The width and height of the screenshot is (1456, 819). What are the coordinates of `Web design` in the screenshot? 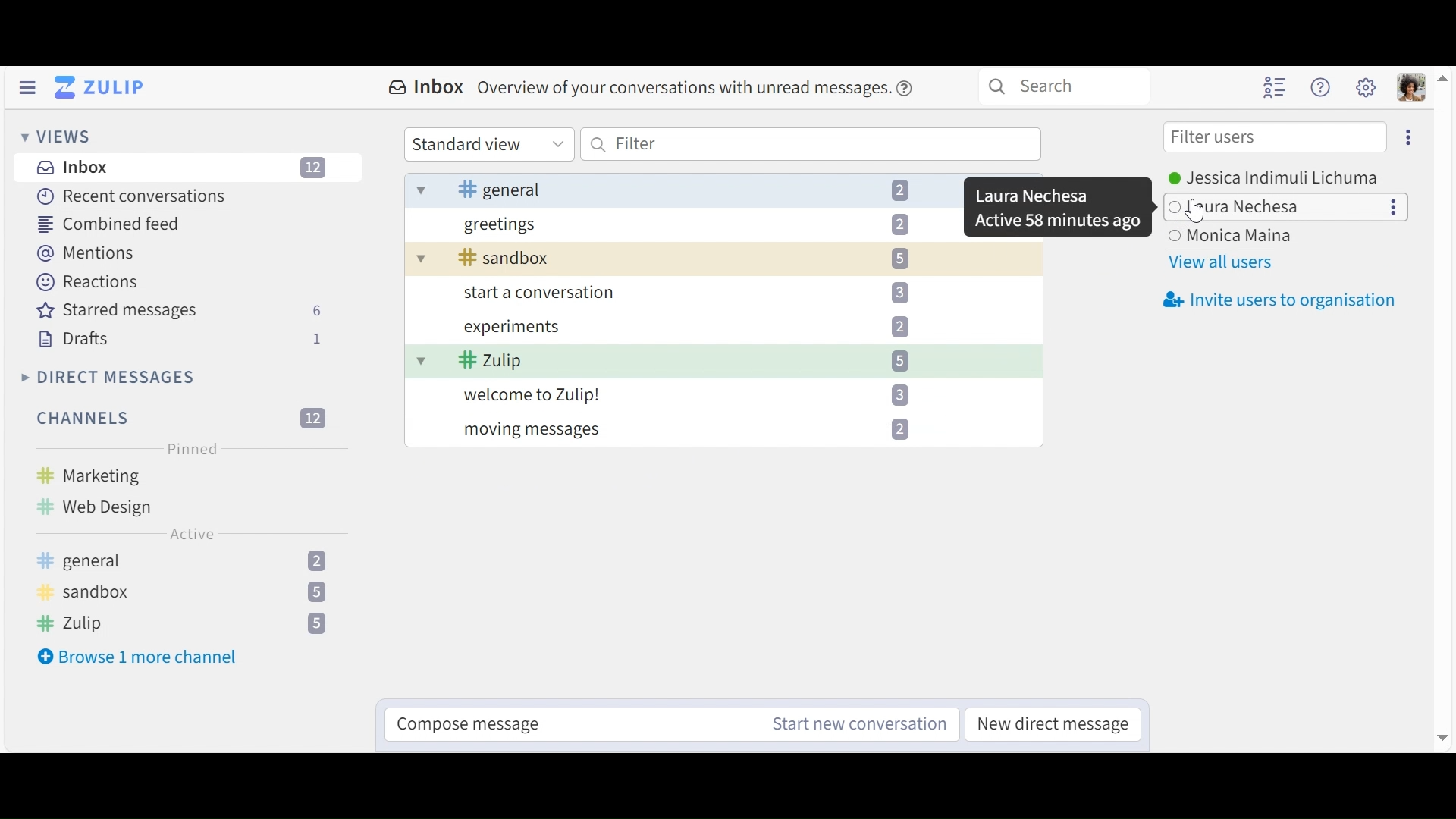 It's located at (104, 507).